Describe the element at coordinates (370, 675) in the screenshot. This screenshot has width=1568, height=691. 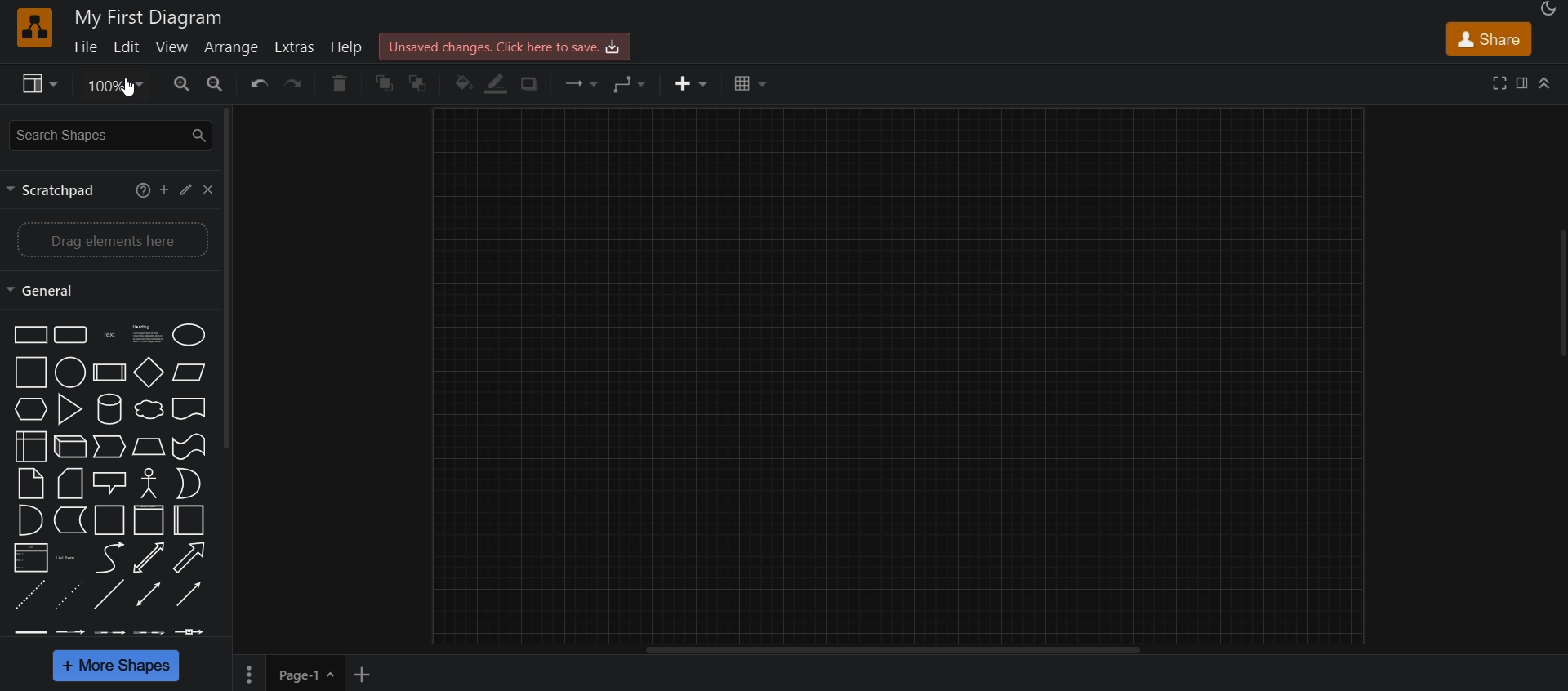
I see `add new page` at that location.